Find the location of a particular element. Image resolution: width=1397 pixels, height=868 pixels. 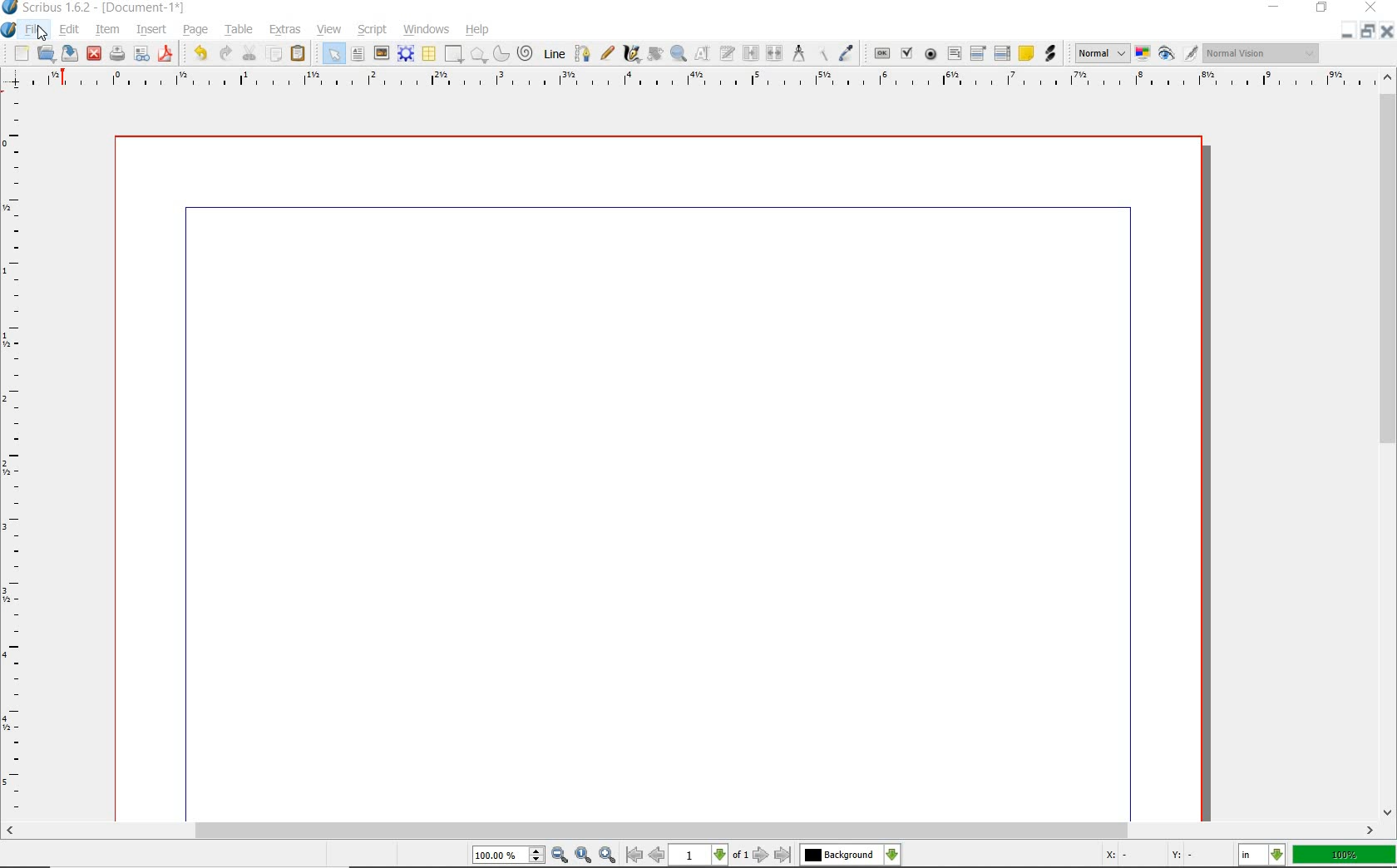

save is located at coordinates (71, 53).